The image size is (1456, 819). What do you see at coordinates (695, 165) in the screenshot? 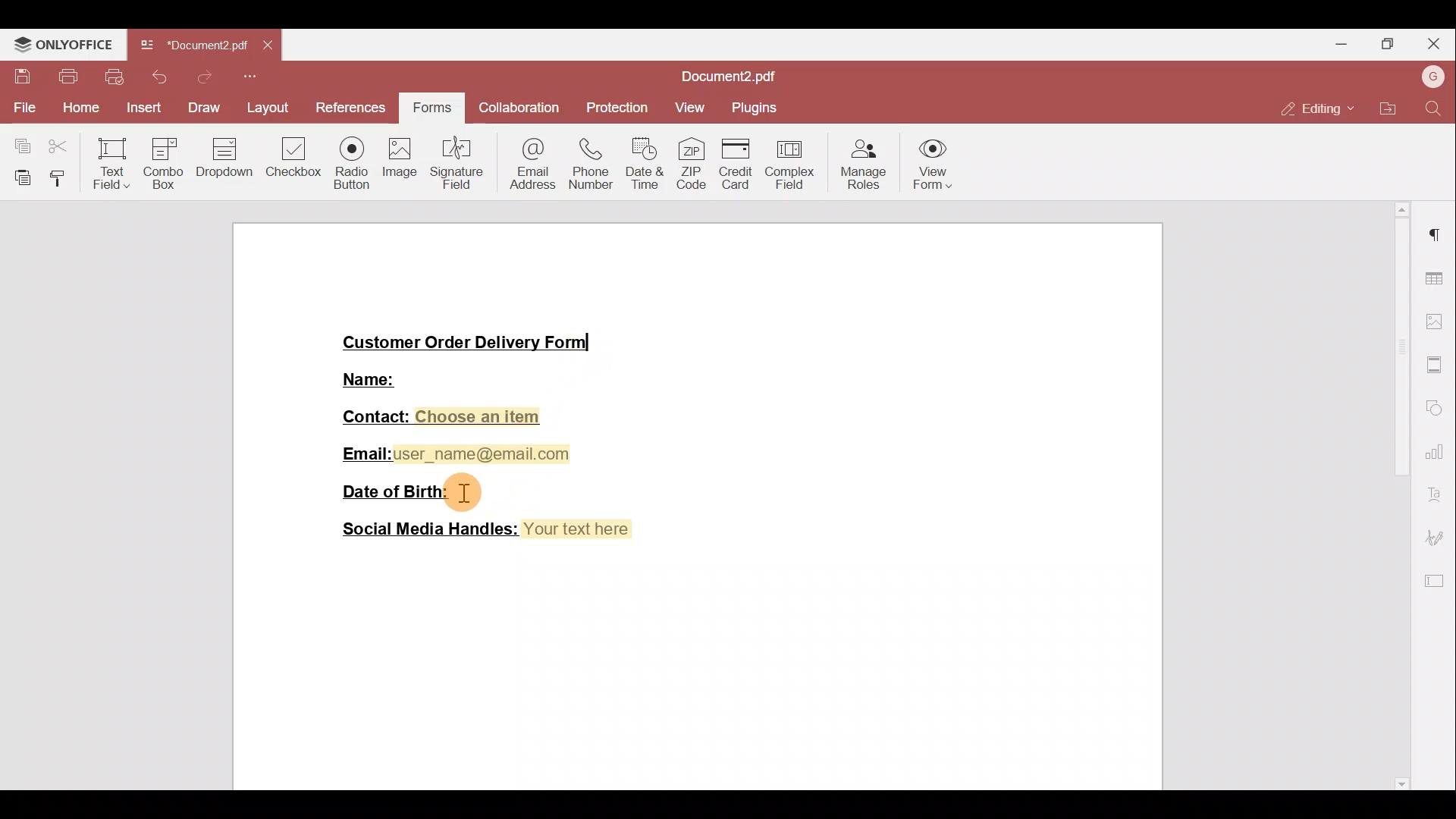
I see `ZIP code` at bounding box center [695, 165].